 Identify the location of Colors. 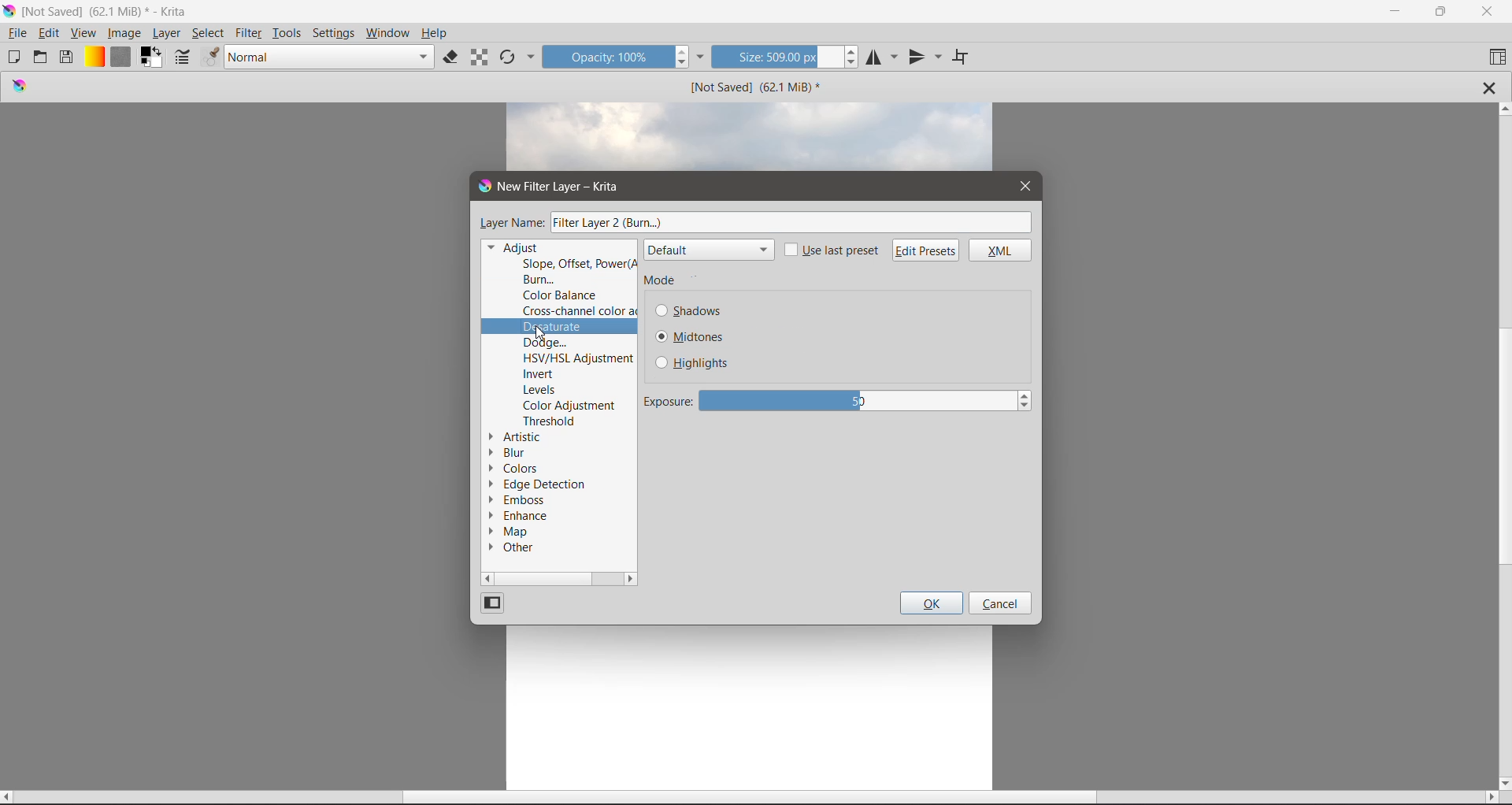
(513, 468).